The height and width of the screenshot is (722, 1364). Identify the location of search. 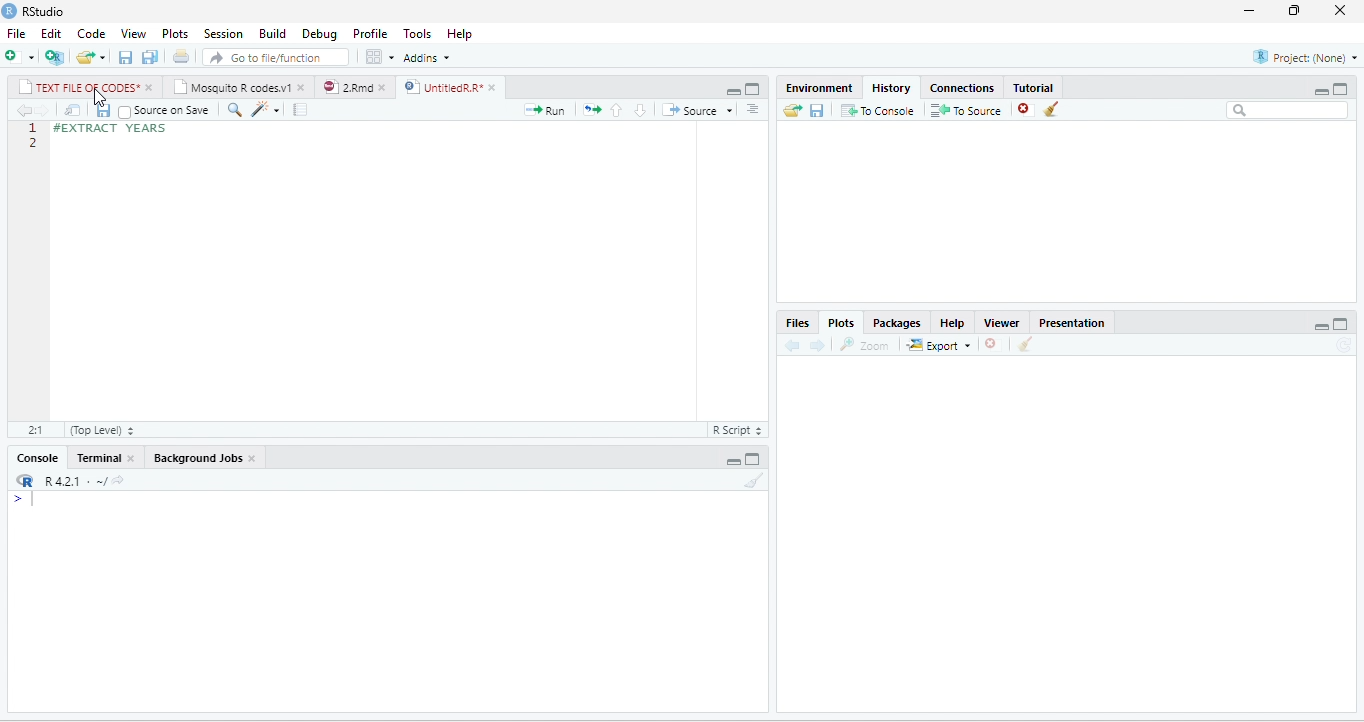
(234, 110).